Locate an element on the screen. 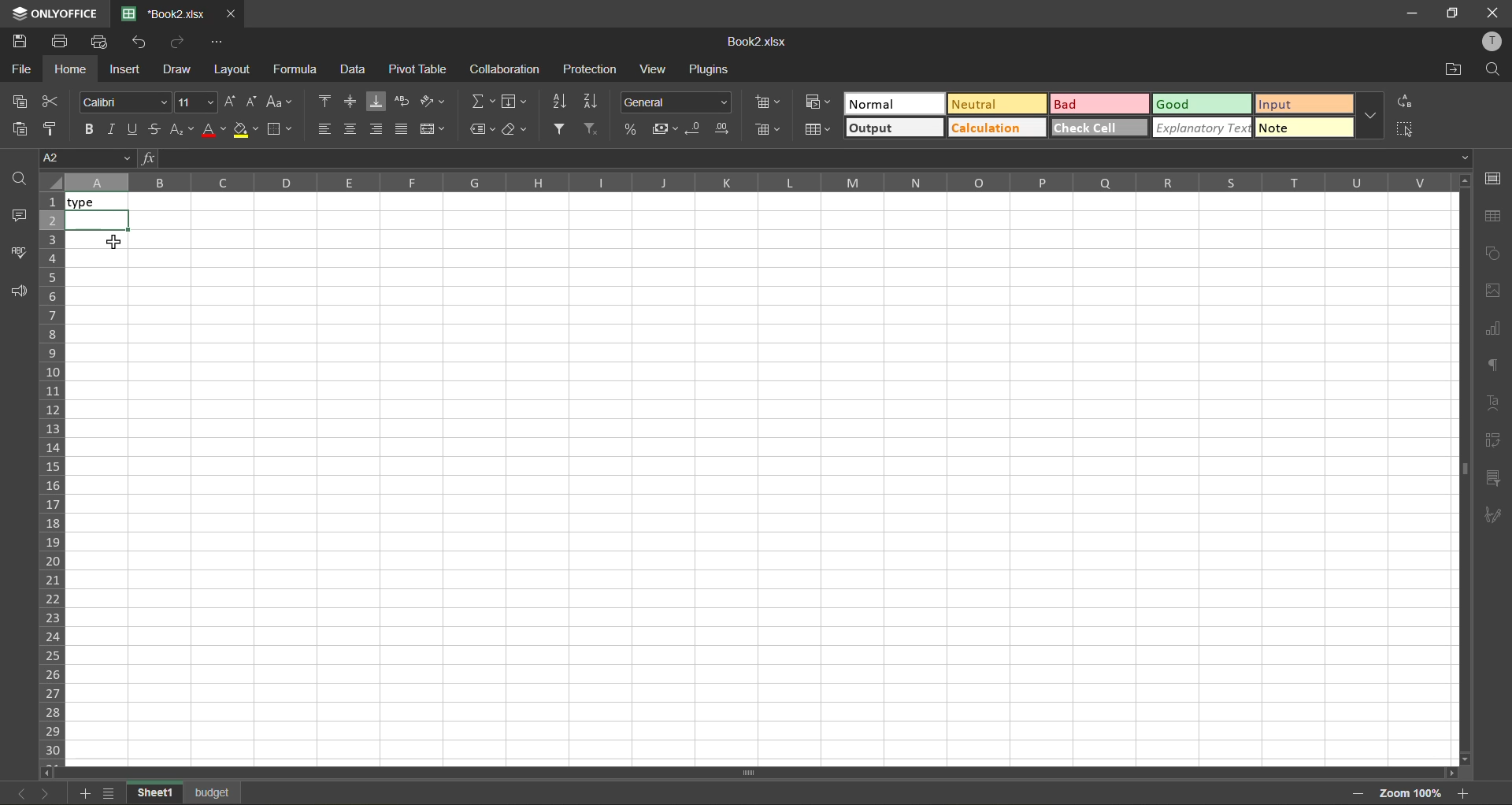  font size is located at coordinates (195, 103).